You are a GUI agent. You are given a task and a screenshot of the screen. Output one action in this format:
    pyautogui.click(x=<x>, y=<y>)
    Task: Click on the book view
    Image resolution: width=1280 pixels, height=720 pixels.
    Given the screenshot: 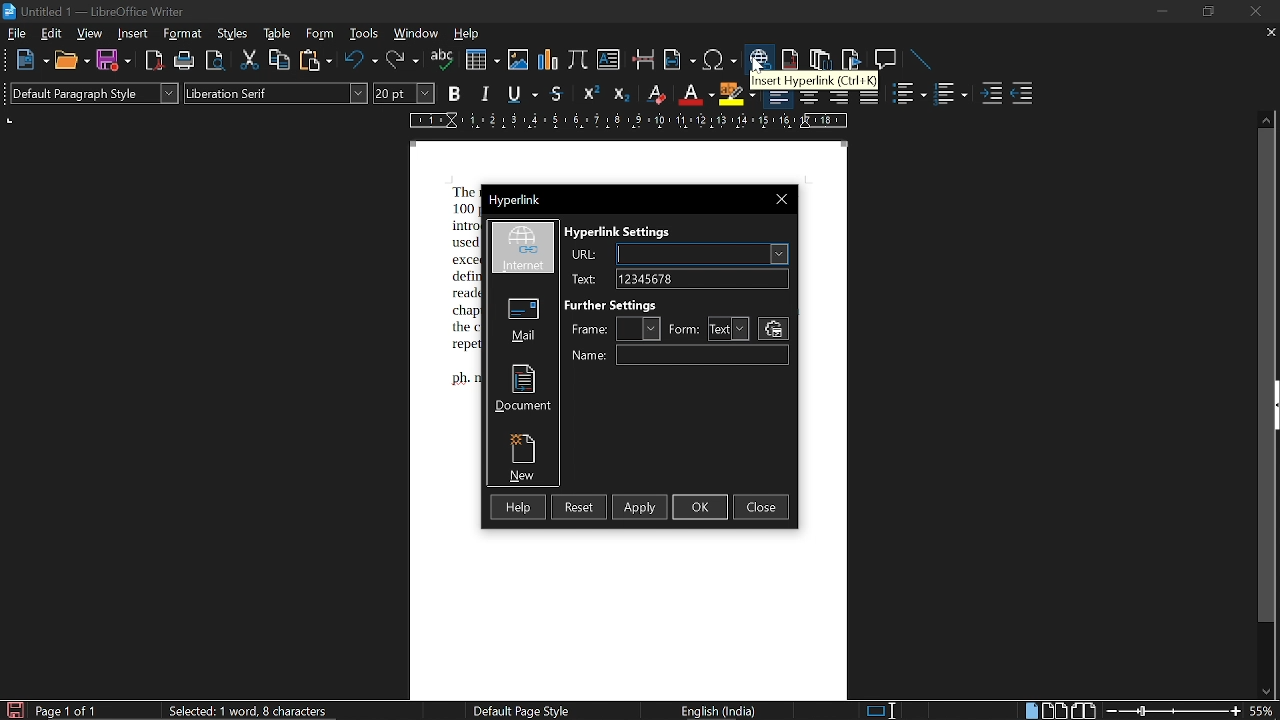 What is the action you would take?
    pyautogui.click(x=1086, y=710)
    